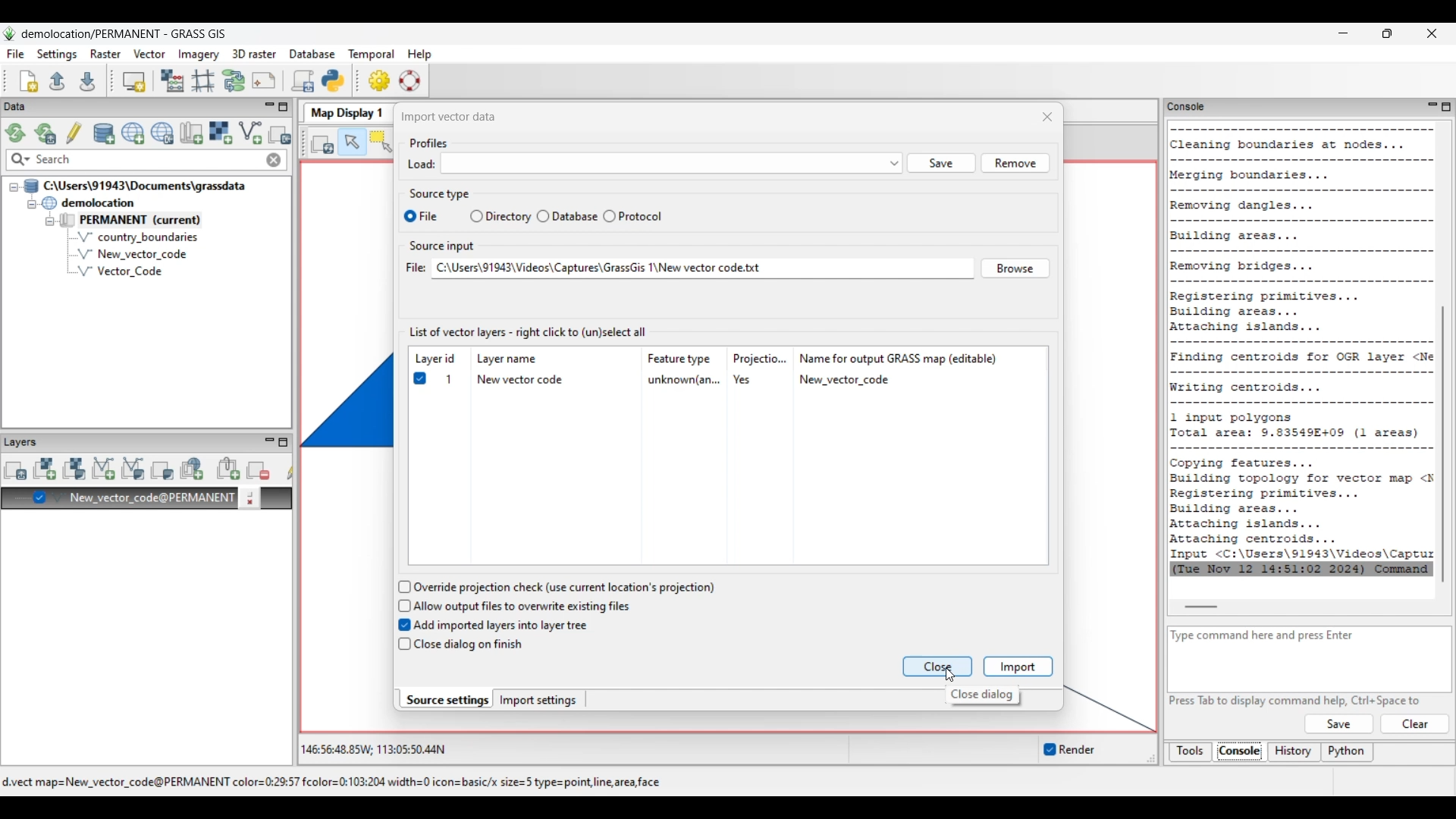 This screenshot has width=1456, height=819. I want to click on Minimize Layers panel, so click(269, 442).